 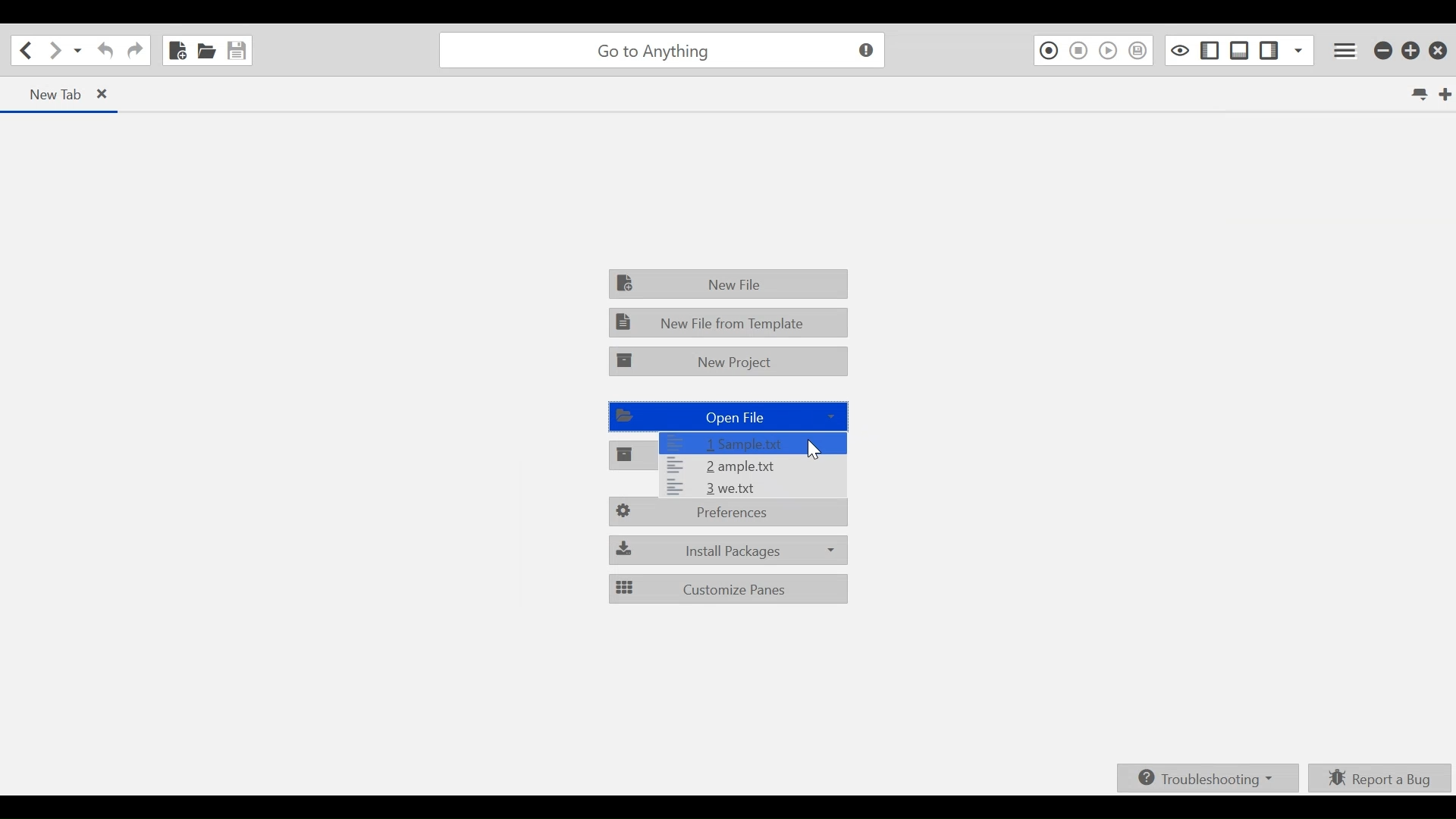 I want to click on Show/Hide Bottom Panel, so click(x=1240, y=49).